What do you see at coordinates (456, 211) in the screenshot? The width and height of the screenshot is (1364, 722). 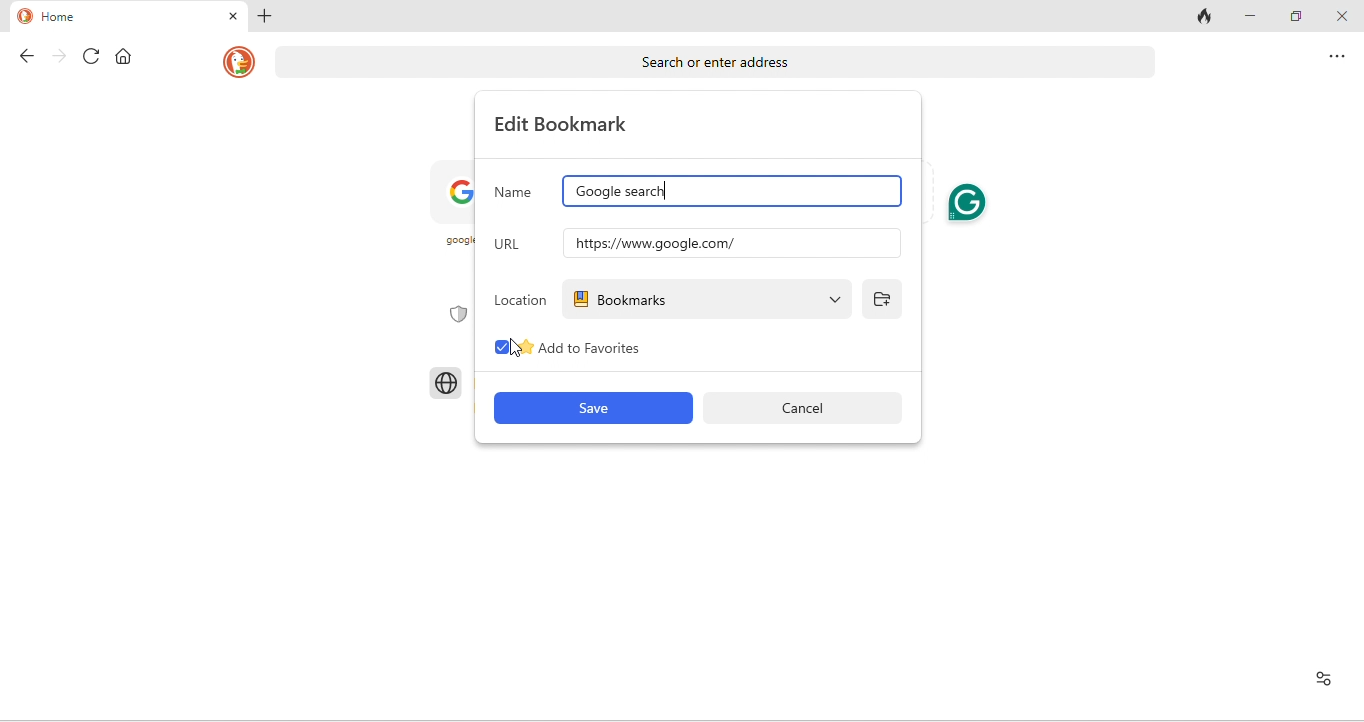 I see `google` at bounding box center [456, 211].